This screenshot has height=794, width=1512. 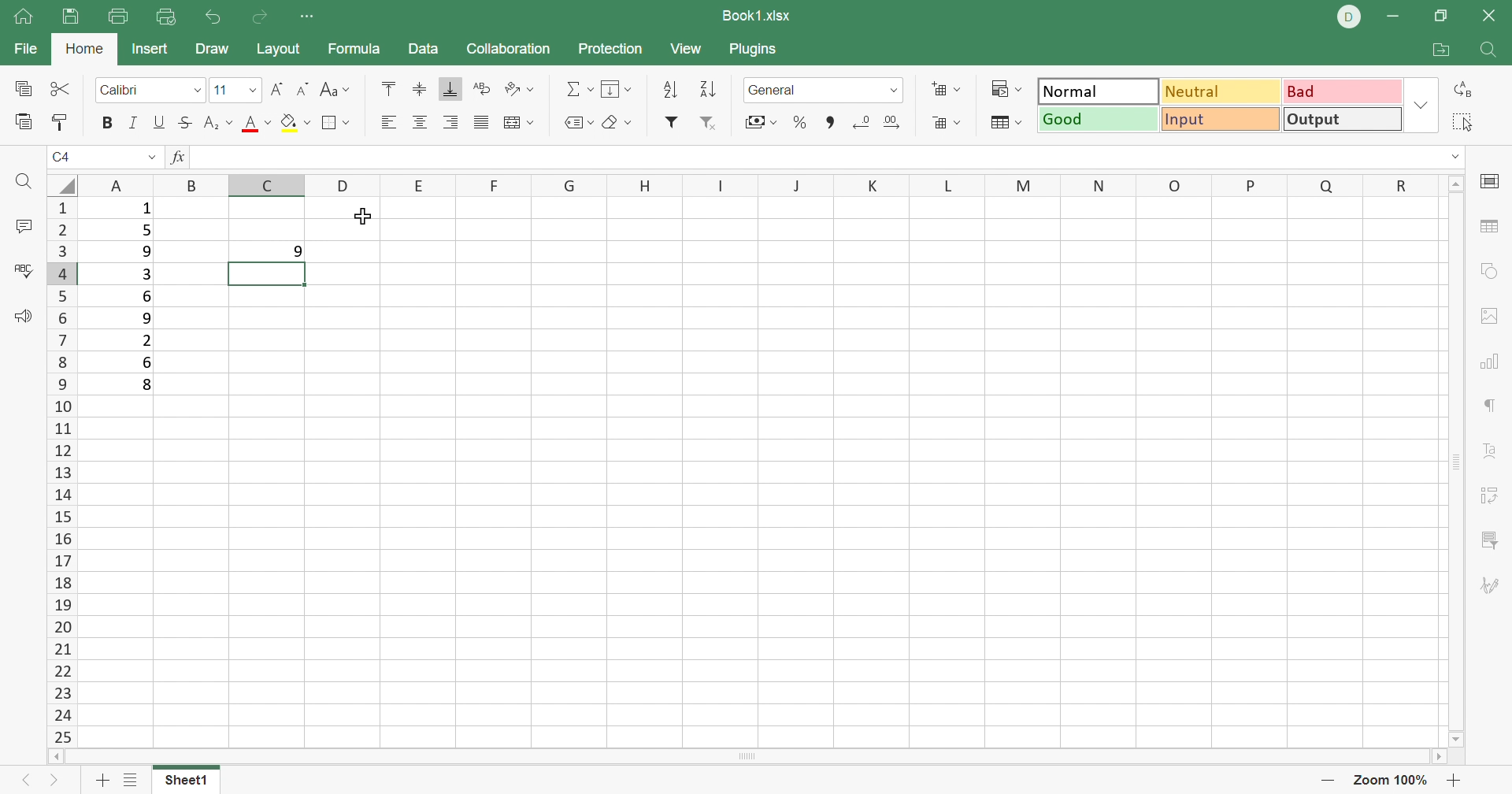 What do you see at coordinates (178, 155) in the screenshot?
I see `fx` at bounding box center [178, 155].